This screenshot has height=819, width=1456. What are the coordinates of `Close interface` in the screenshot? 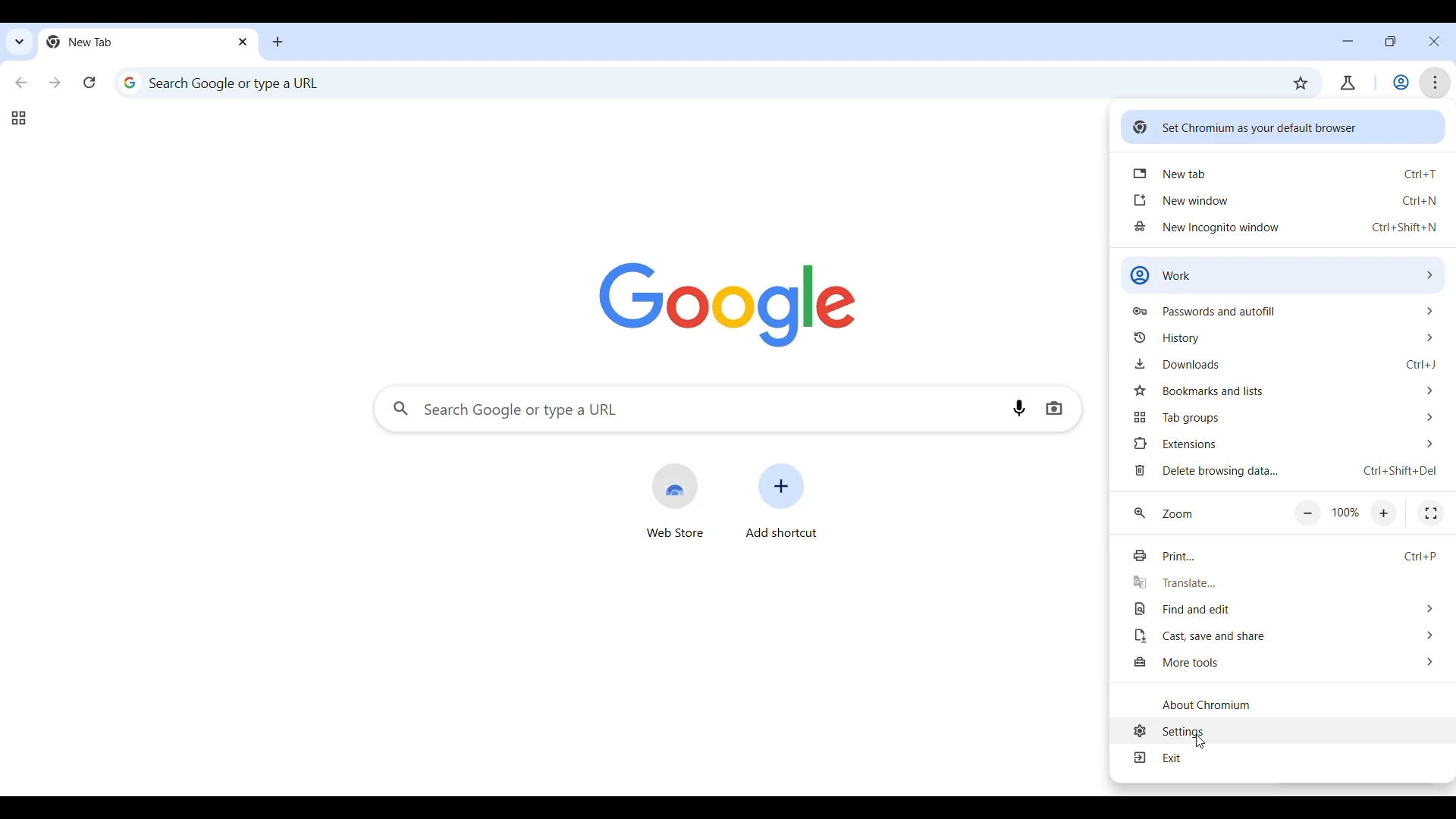 It's located at (1435, 42).